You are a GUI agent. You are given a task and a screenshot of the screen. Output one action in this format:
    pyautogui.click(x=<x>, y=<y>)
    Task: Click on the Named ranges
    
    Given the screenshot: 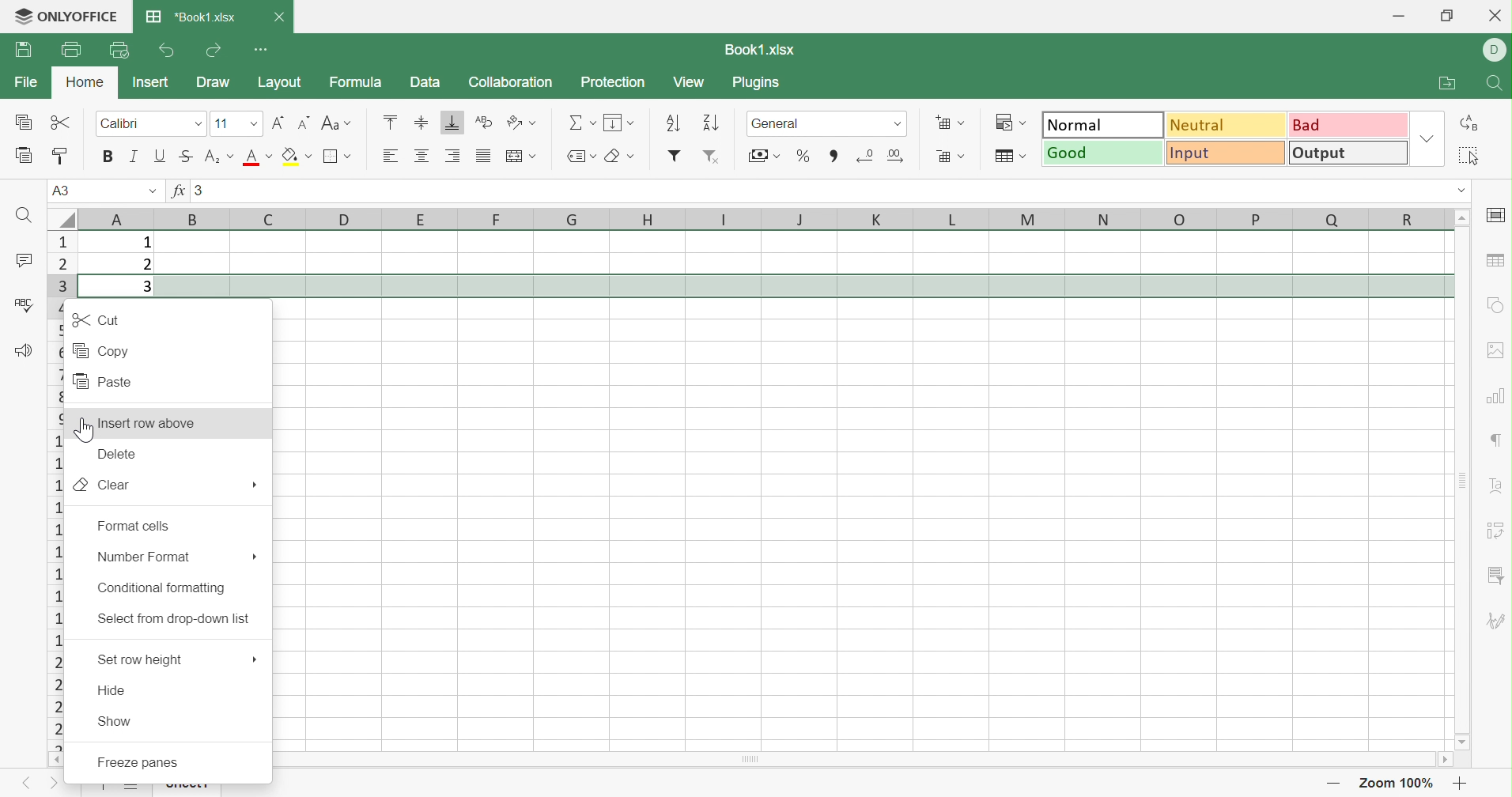 What is the action you would take?
    pyautogui.click(x=573, y=159)
    